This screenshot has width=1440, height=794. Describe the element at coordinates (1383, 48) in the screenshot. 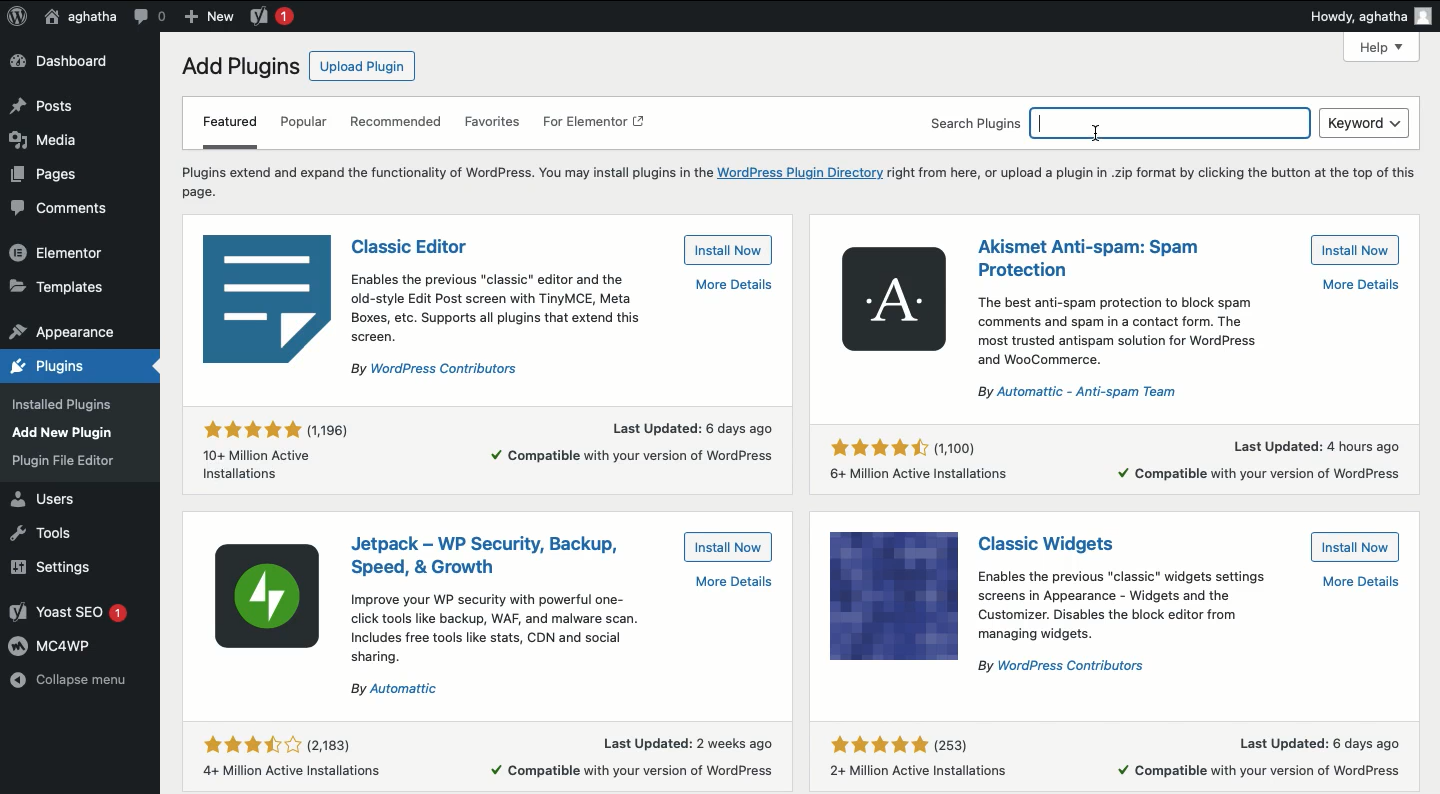

I see `Help` at that location.